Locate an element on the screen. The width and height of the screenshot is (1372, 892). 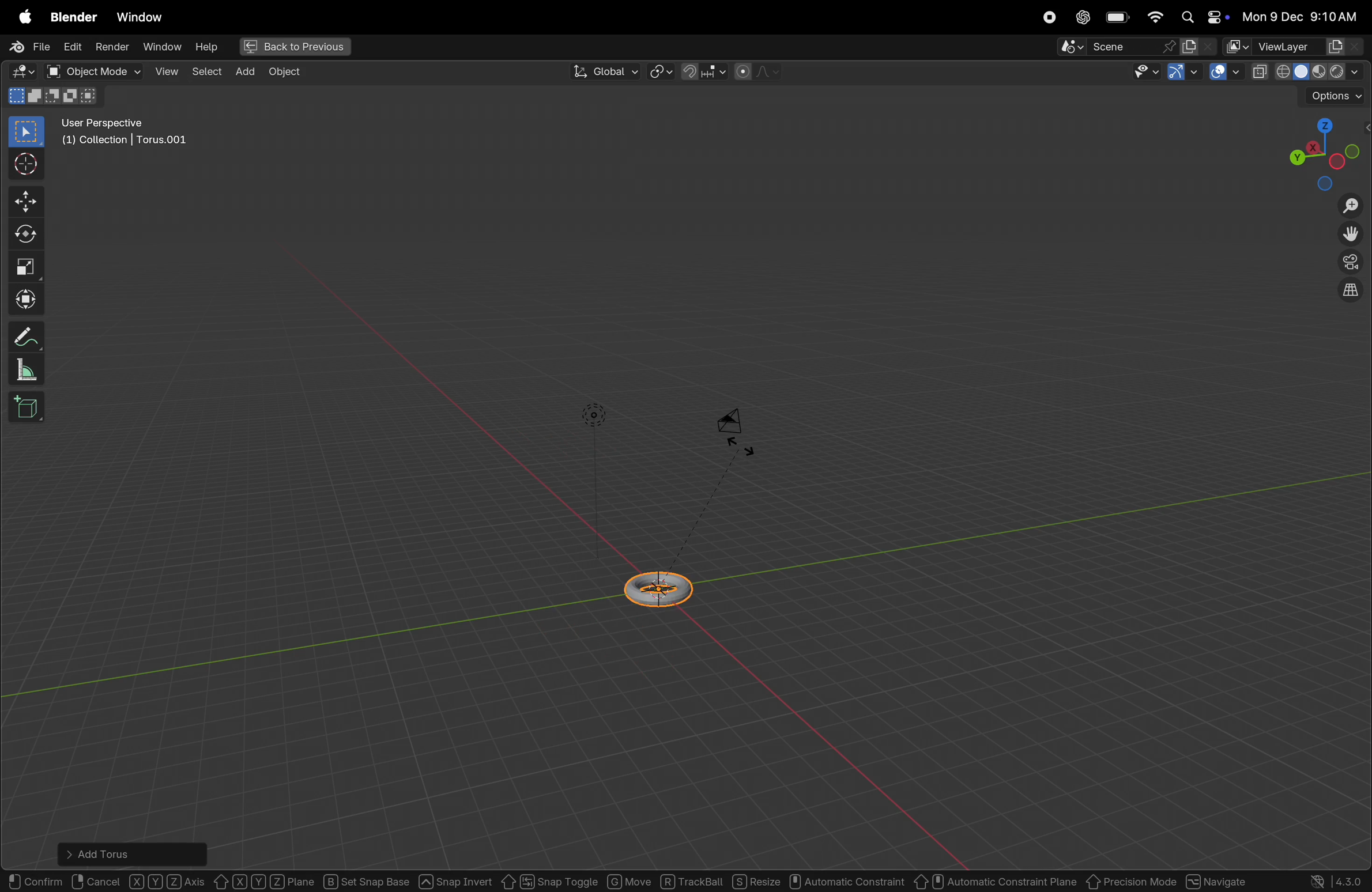
measure is located at coordinates (26, 371).